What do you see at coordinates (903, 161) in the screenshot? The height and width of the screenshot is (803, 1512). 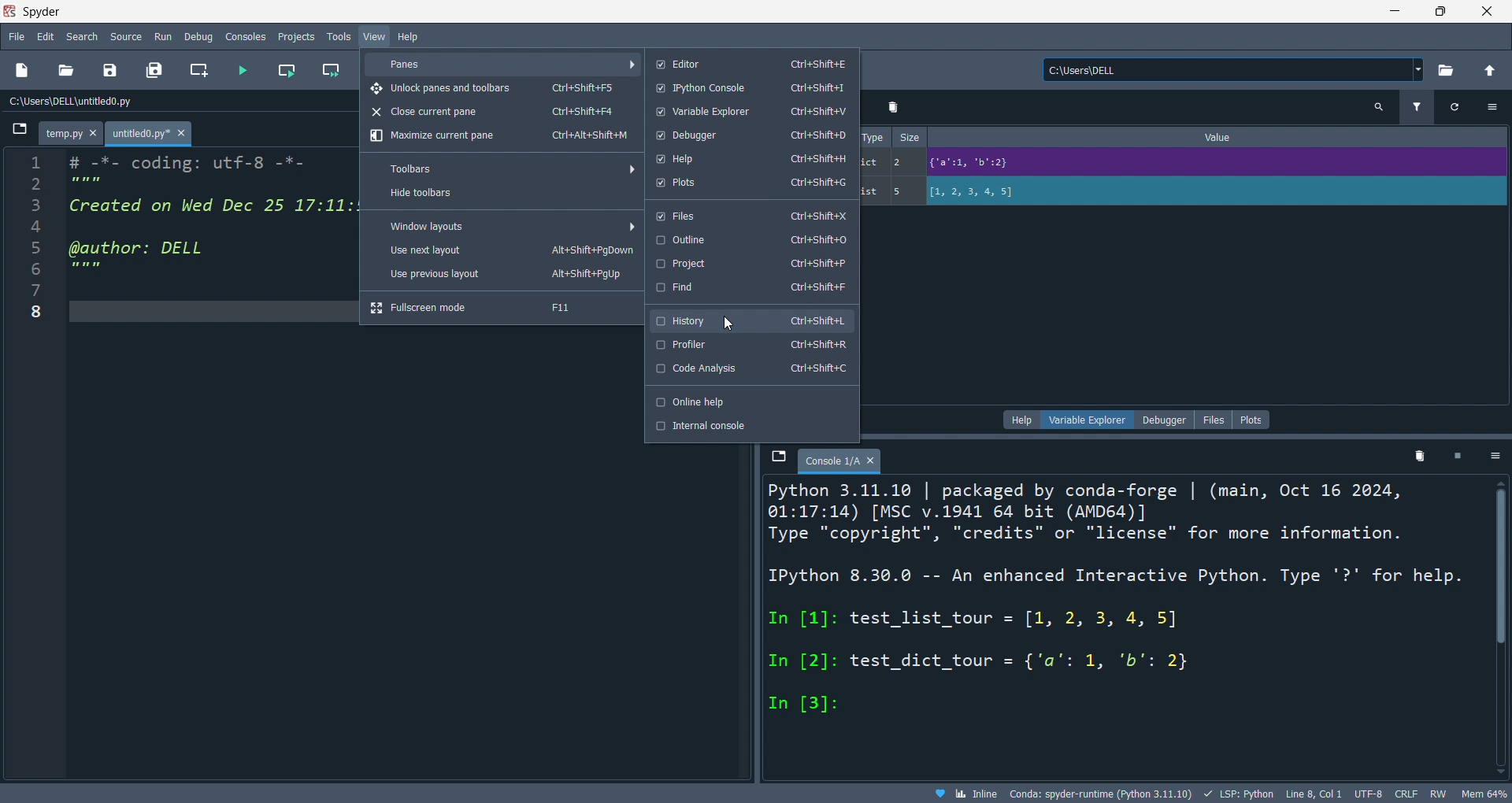 I see `2` at bounding box center [903, 161].